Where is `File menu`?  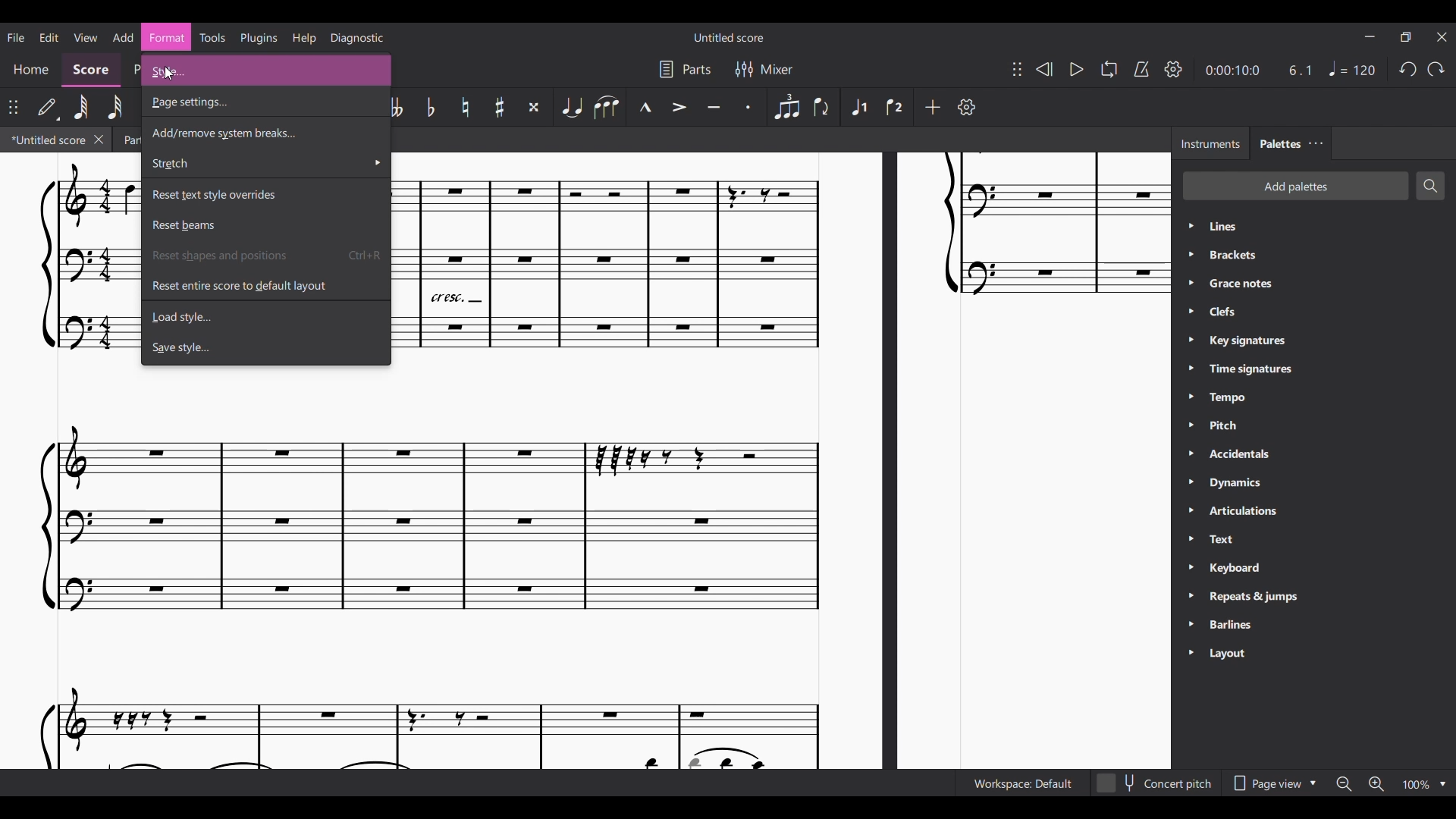 File menu is located at coordinates (16, 37).